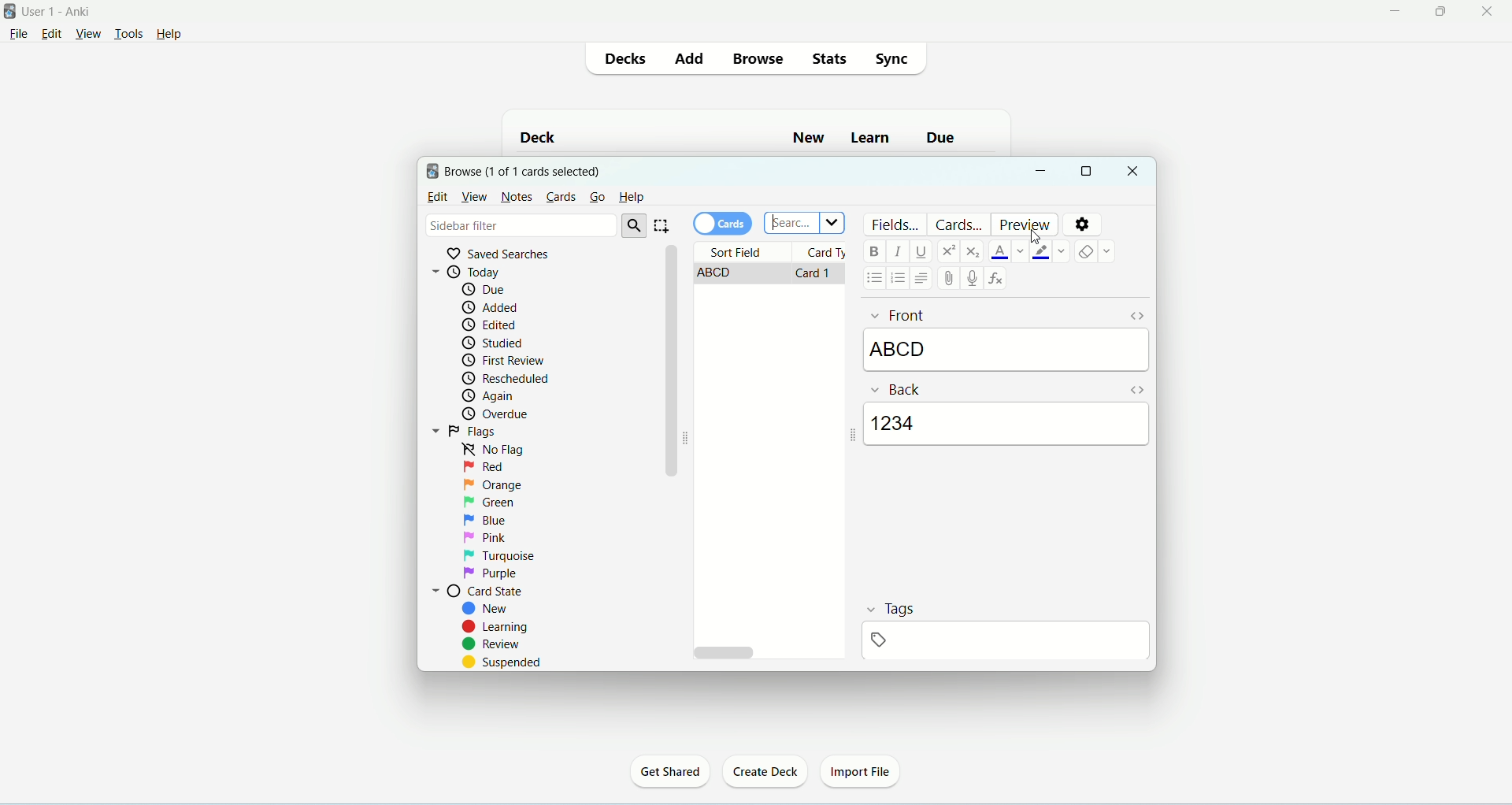  I want to click on help, so click(177, 33).